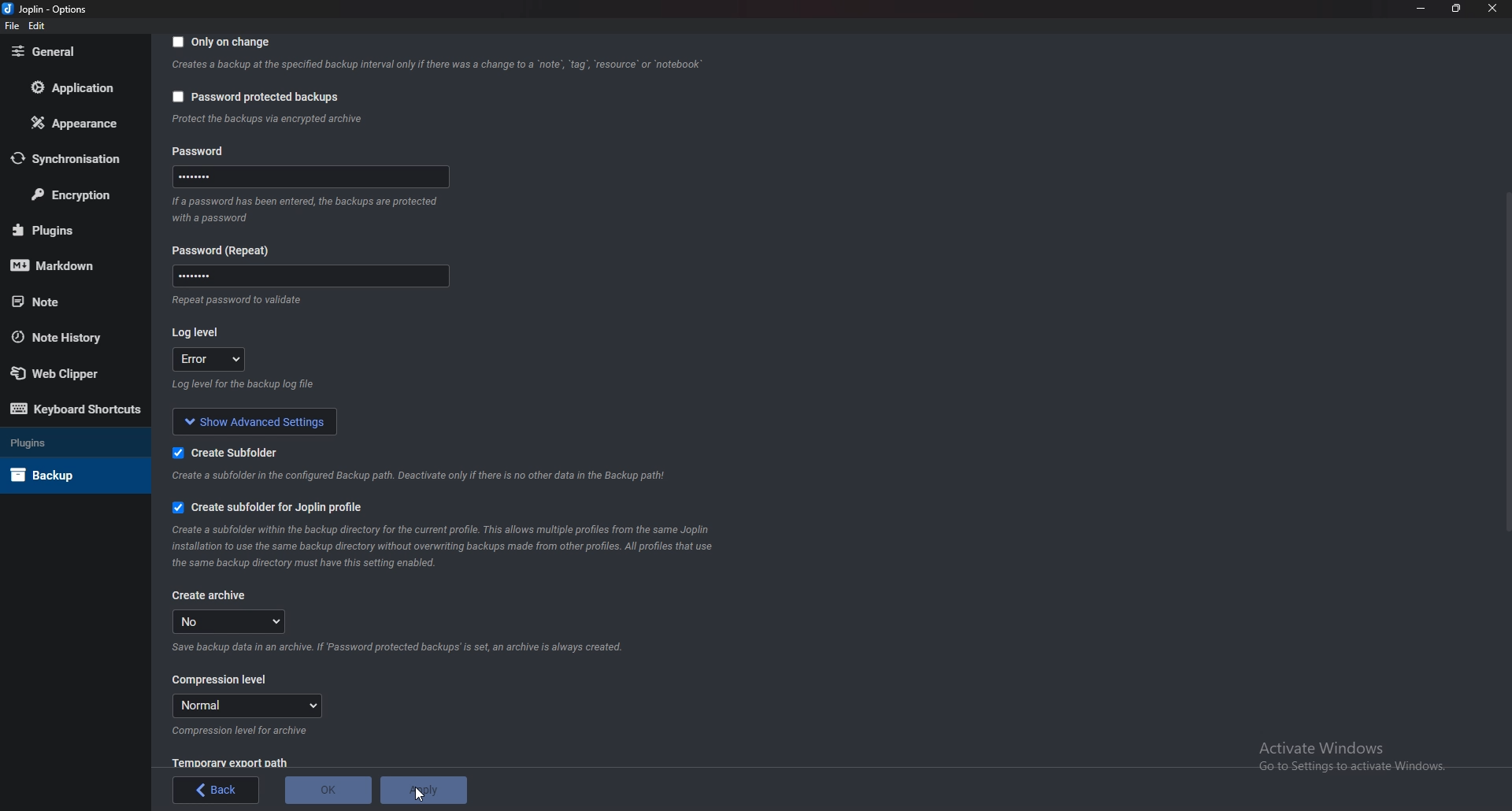 This screenshot has width=1512, height=811. Describe the element at coordinates (267, 120) in the screenshot. I see `info` at that location.